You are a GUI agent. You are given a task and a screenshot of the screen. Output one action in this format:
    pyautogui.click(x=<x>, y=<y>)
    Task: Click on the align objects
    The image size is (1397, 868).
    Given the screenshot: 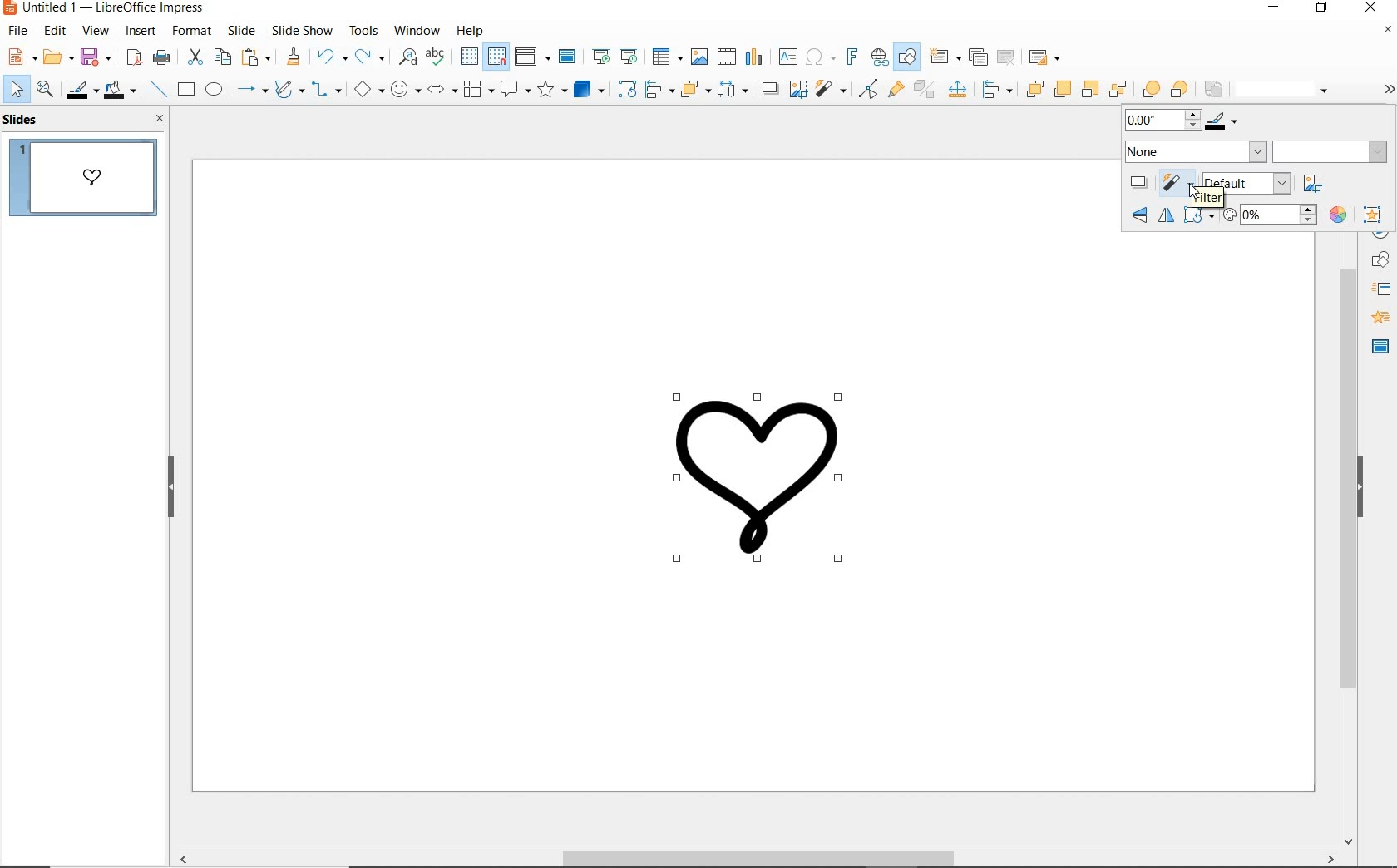 What is the action you would take?
    pyautogui.click(x=658, y=90)
    